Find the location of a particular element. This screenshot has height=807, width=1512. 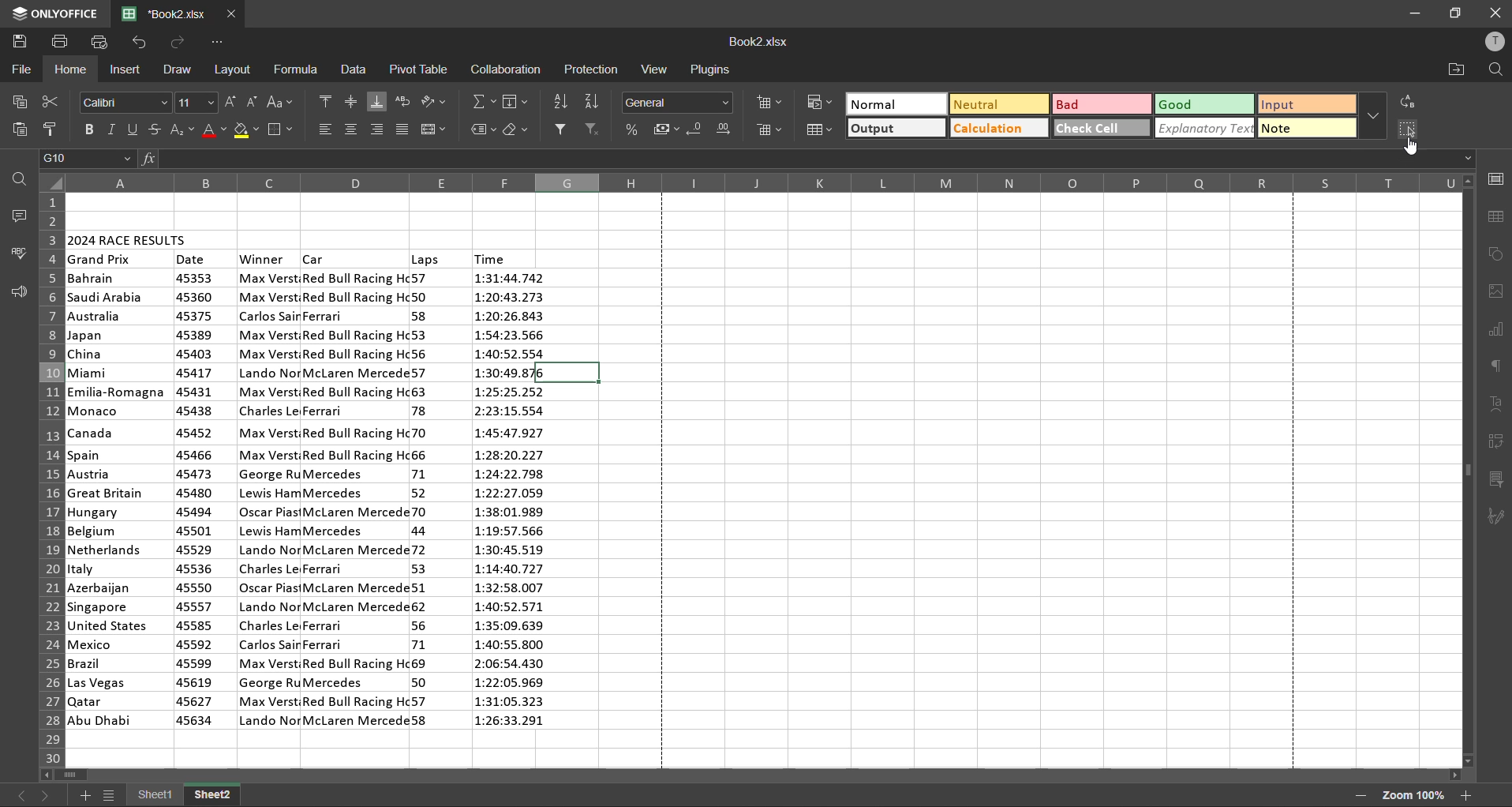

sheet names is located at coordinates (186, 795).